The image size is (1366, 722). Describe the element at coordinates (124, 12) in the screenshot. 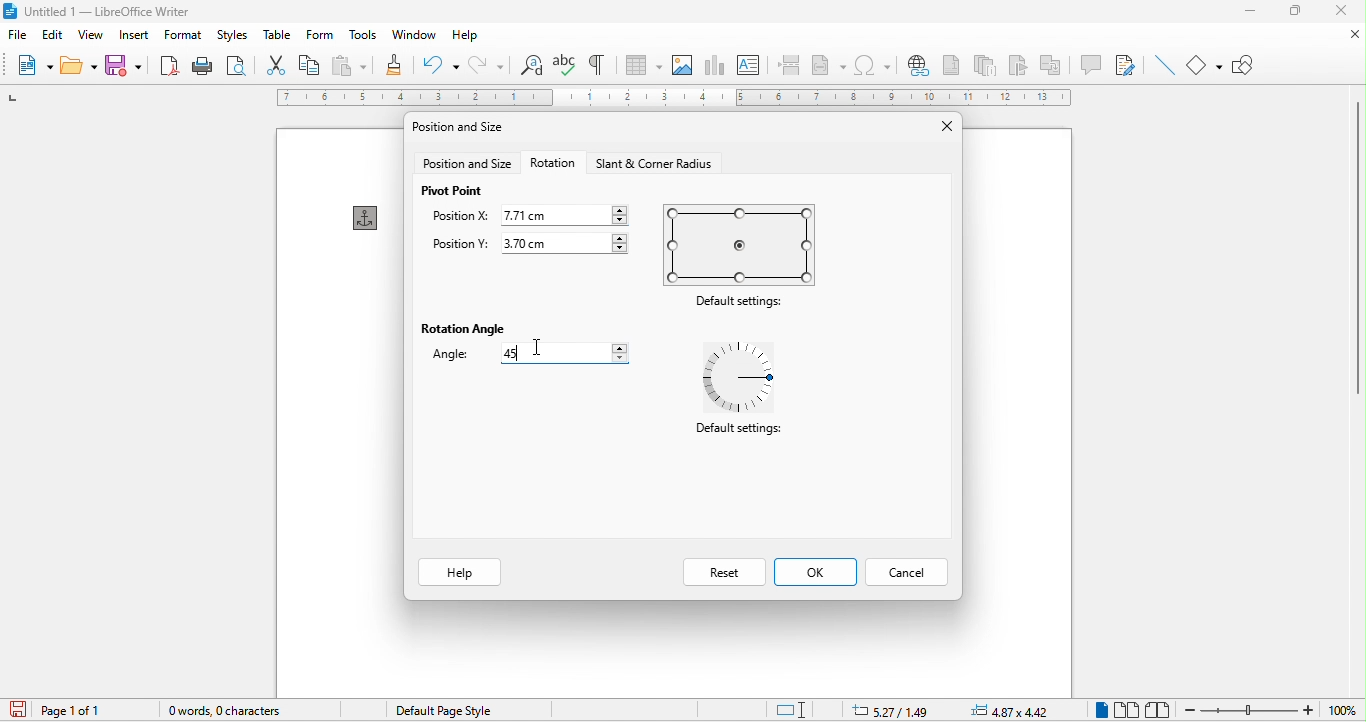

I see `untitied | — Libreoffice writer` at that location.